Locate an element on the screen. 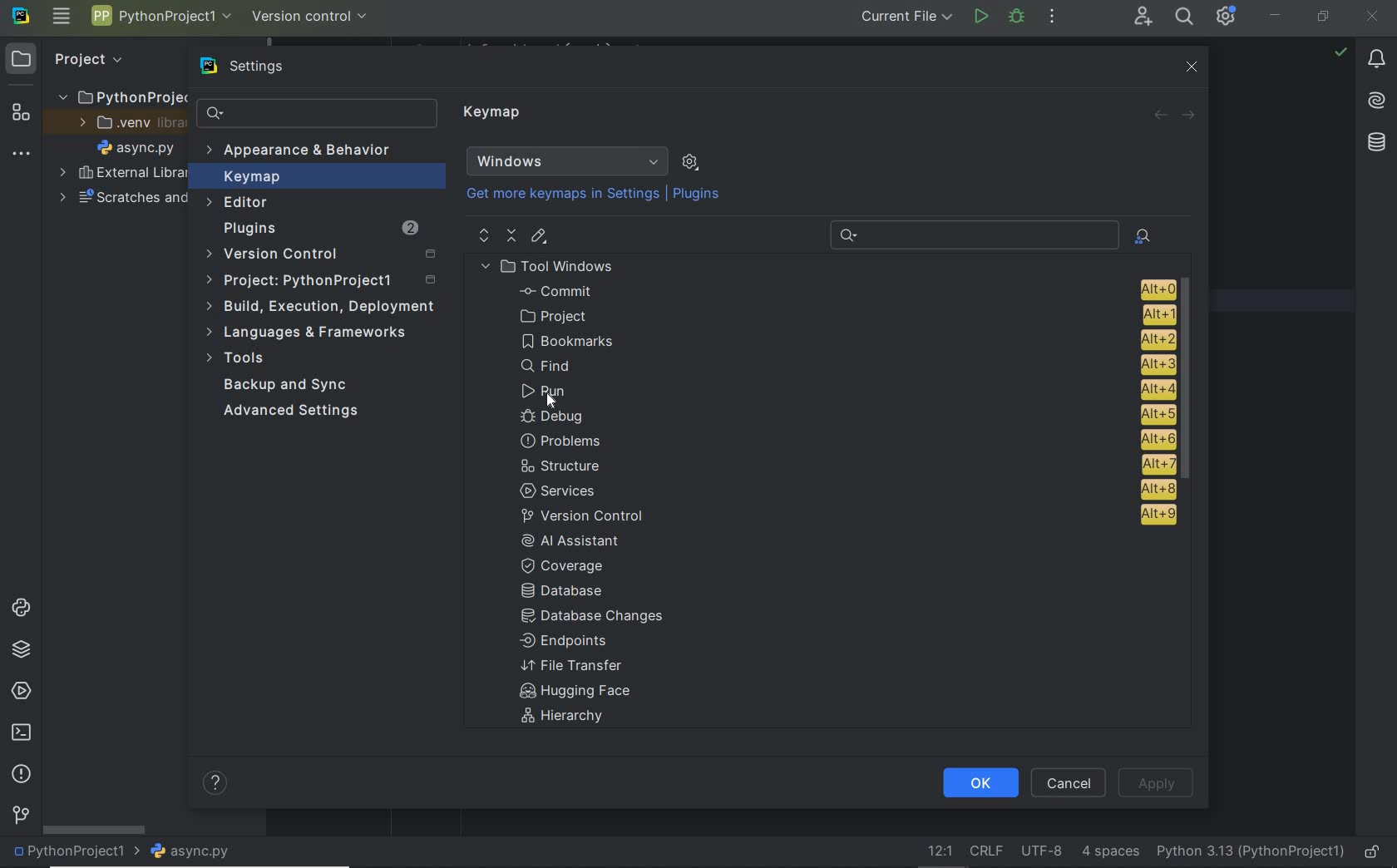  go to line is located at coordinates (937, 852).